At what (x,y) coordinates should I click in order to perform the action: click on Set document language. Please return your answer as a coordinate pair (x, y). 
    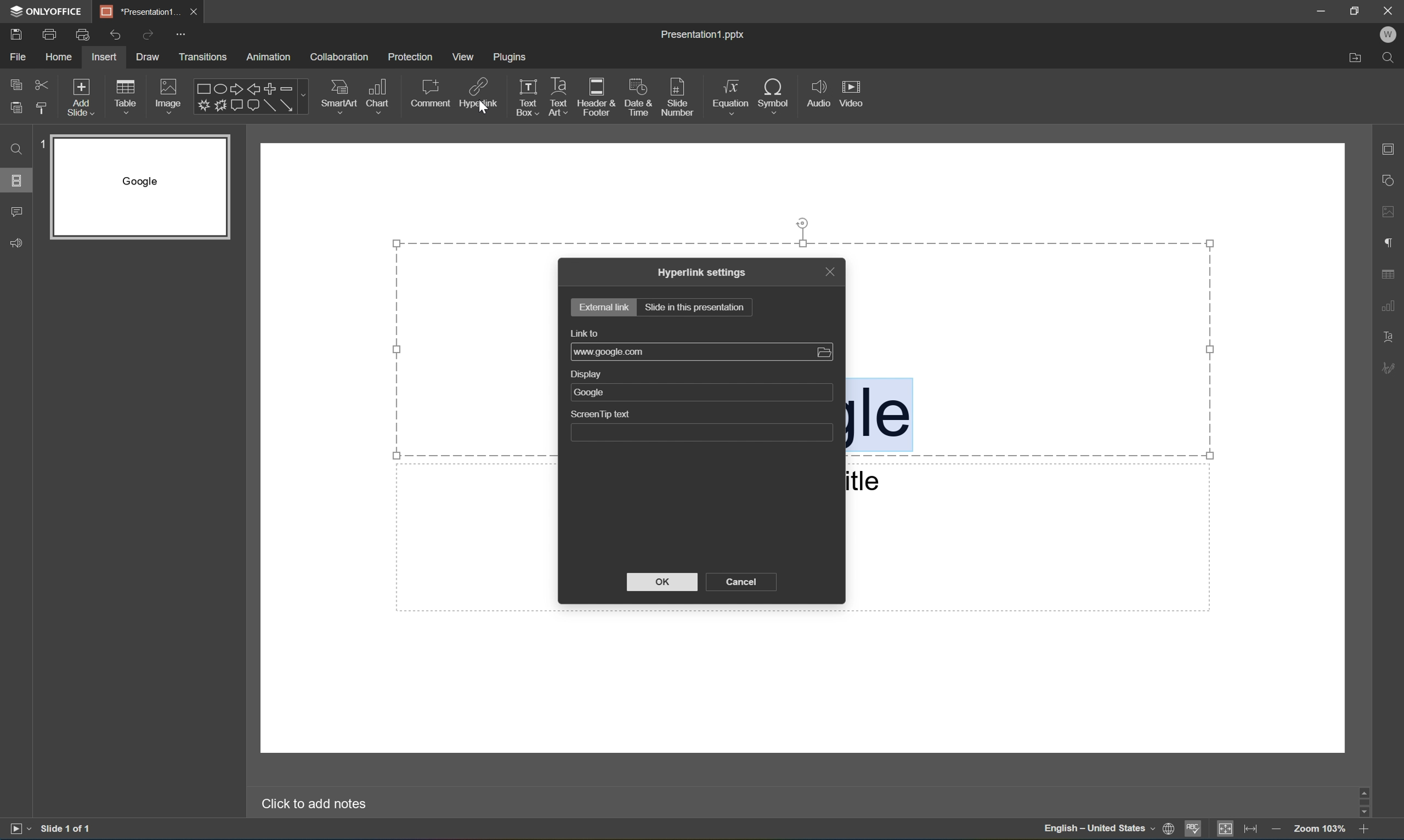
    Looking at the image, I should click on (1169, 829).